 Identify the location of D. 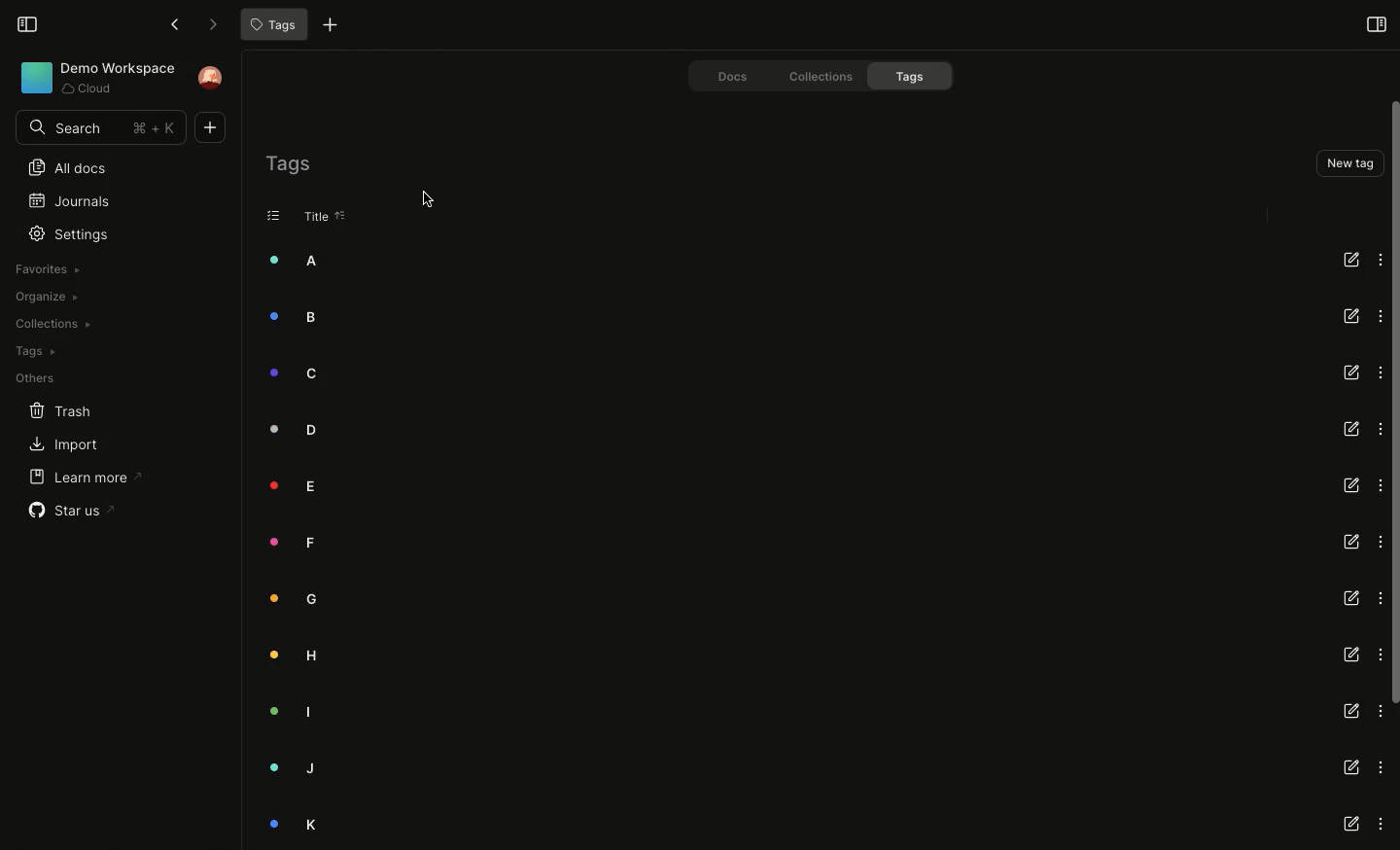
(297, 428).